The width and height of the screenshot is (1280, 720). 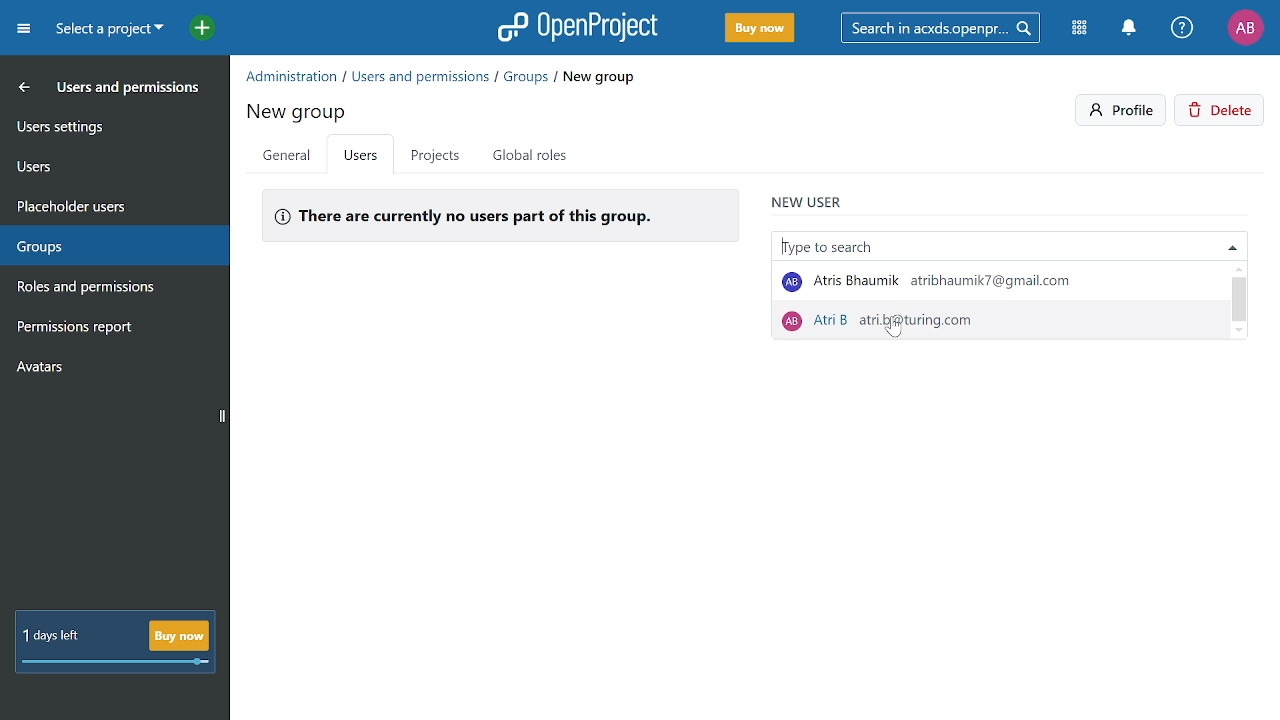 What do you see at coordinates (578, 27) in the screenshot?
I see `Open project logo` at bounding box center [578, 27].